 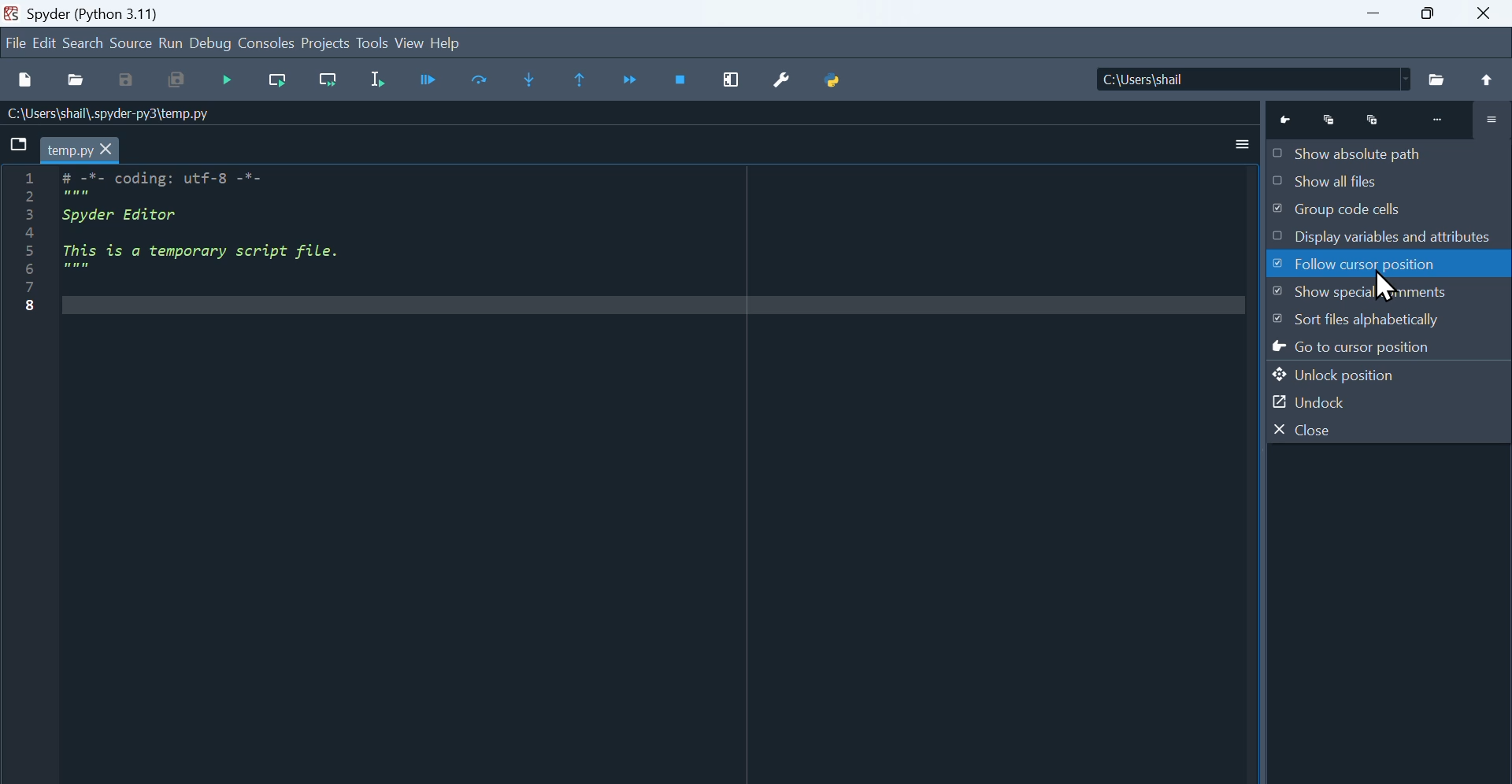 What do you see at coordinates (1340, 401) in the screenshot?
I see `undock` at bounding box center [1340, 401].